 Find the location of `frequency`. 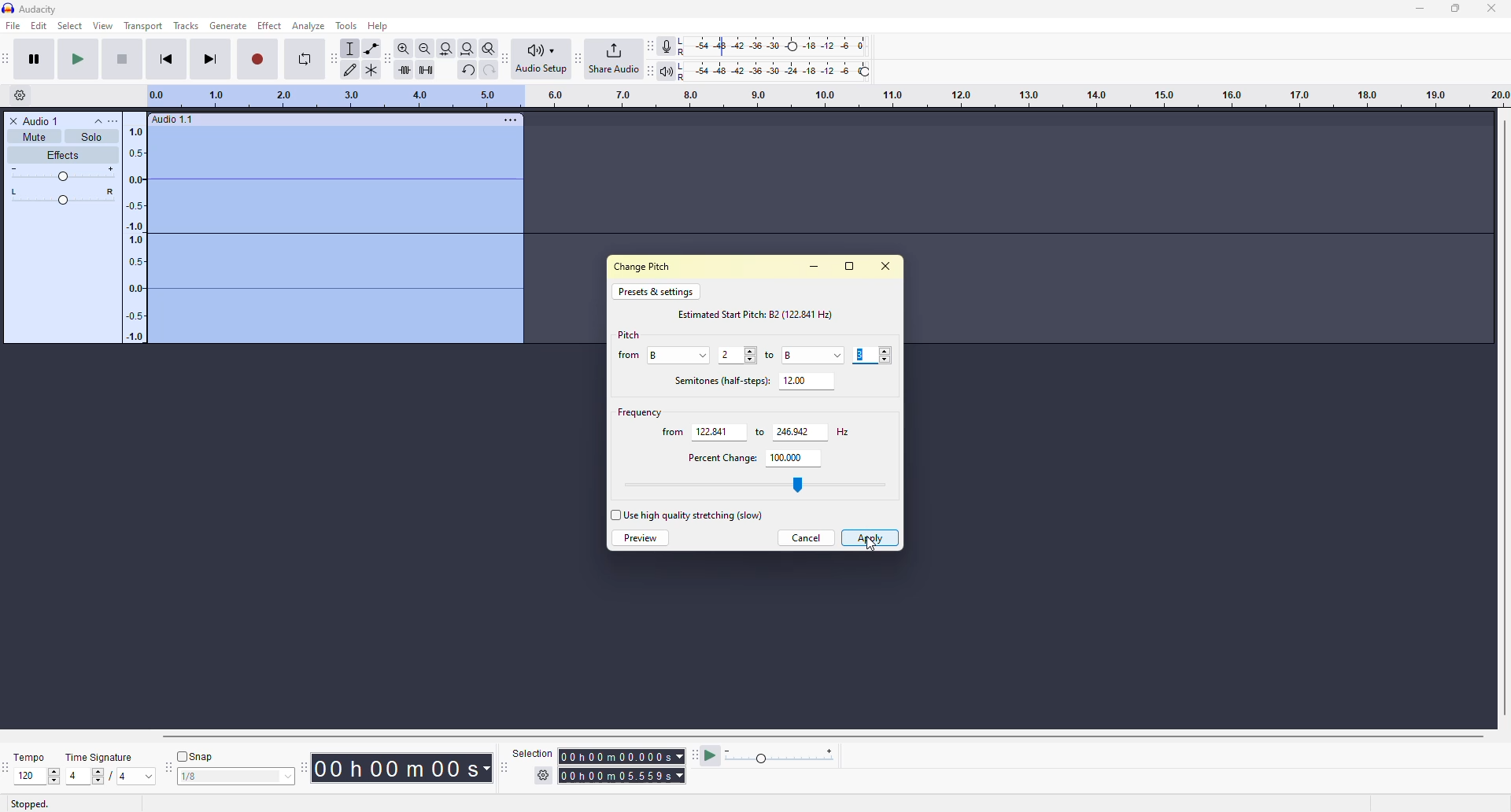

frequency is located at coordinates (637, 411).